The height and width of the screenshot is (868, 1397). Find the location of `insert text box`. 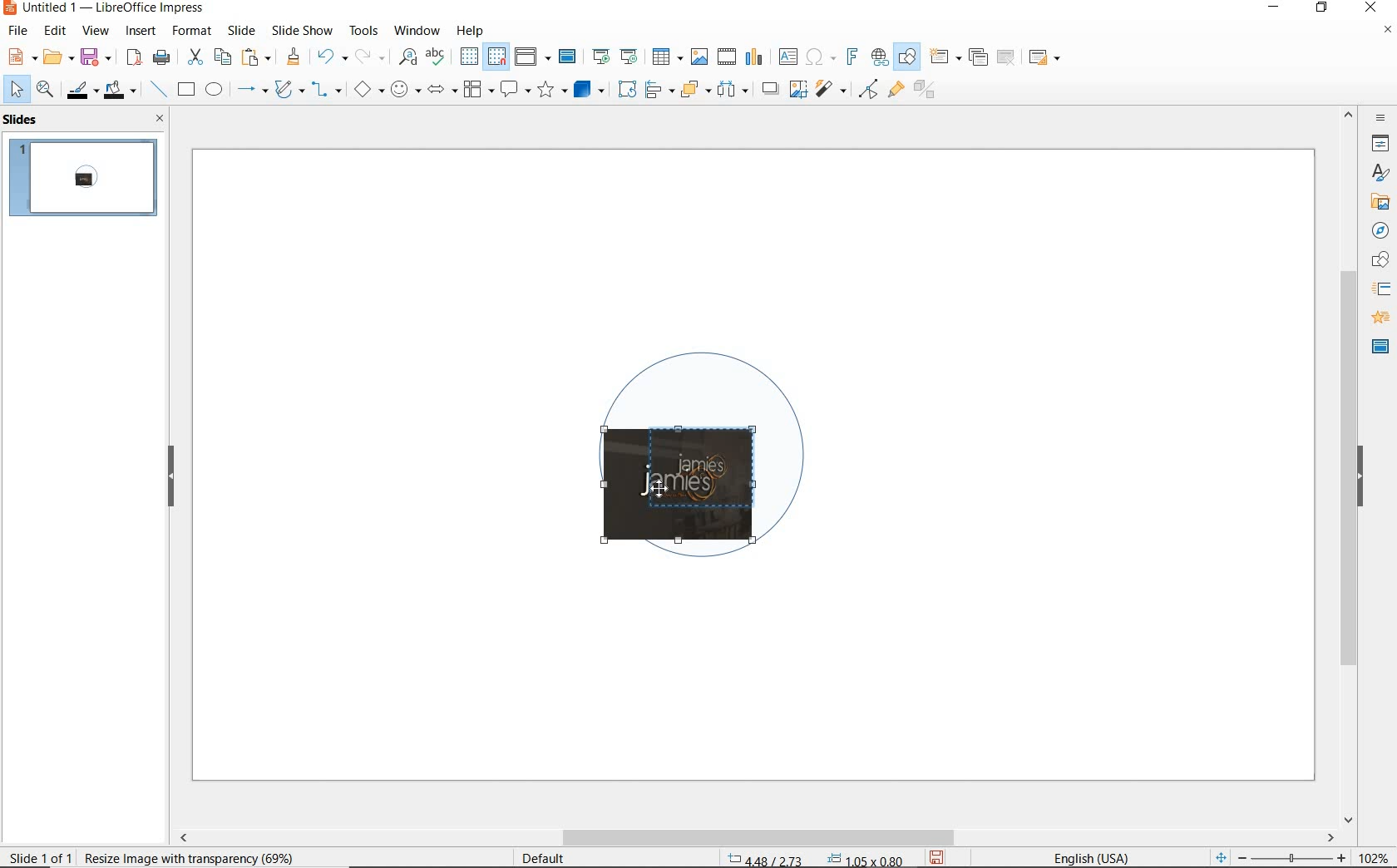

insert text box is located at coordinates (787, 57).